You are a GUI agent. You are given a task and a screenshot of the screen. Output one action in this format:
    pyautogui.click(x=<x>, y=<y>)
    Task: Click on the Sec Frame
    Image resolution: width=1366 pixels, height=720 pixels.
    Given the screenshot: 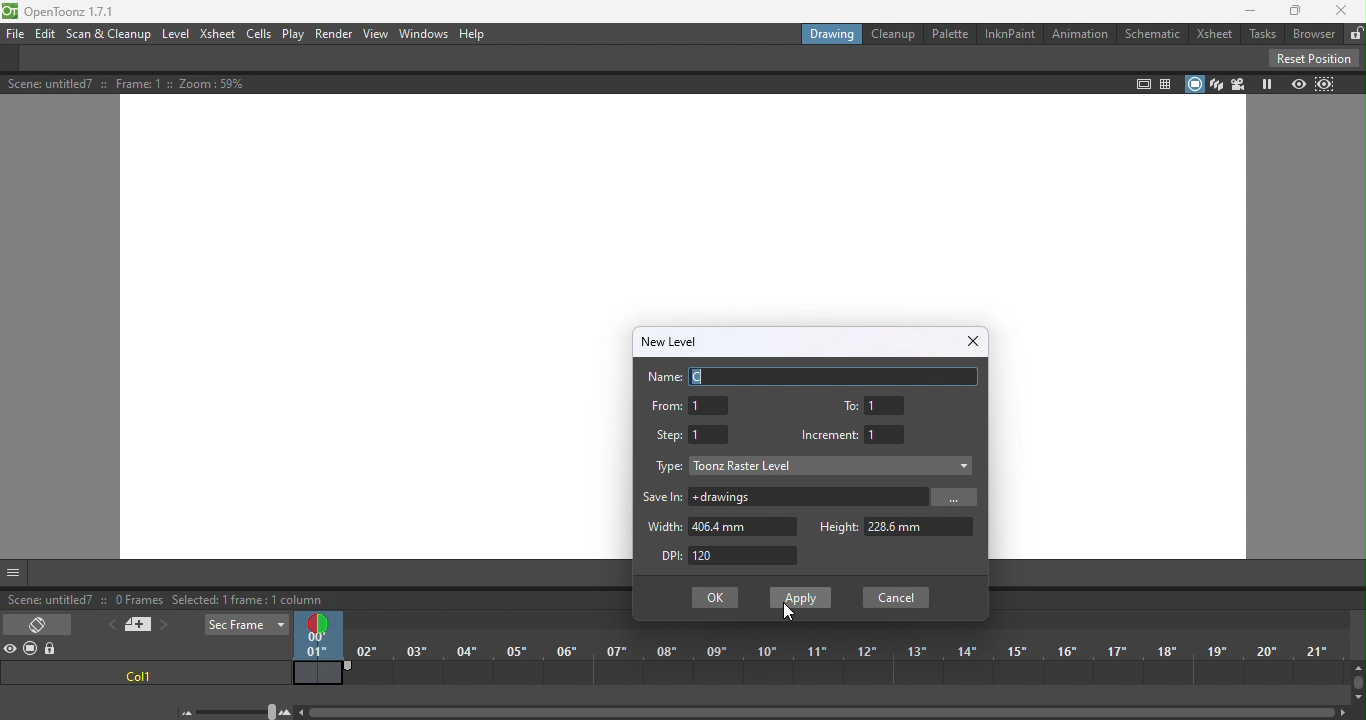 What is the action you would take?
    pyautogui.click(x=247, y=626)
    